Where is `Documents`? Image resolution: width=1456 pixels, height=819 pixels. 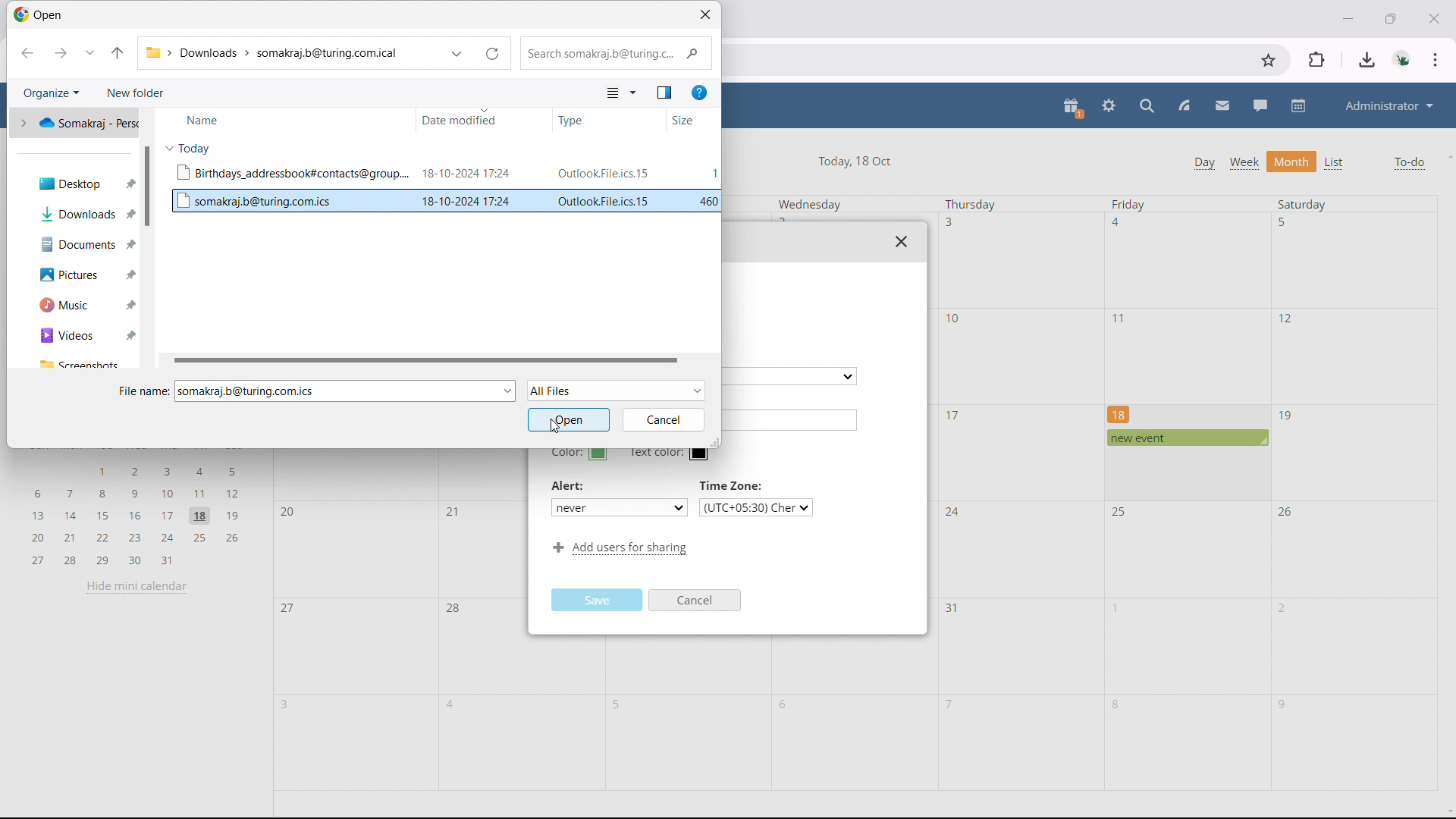 Documents is located at coordinates (75, 245).